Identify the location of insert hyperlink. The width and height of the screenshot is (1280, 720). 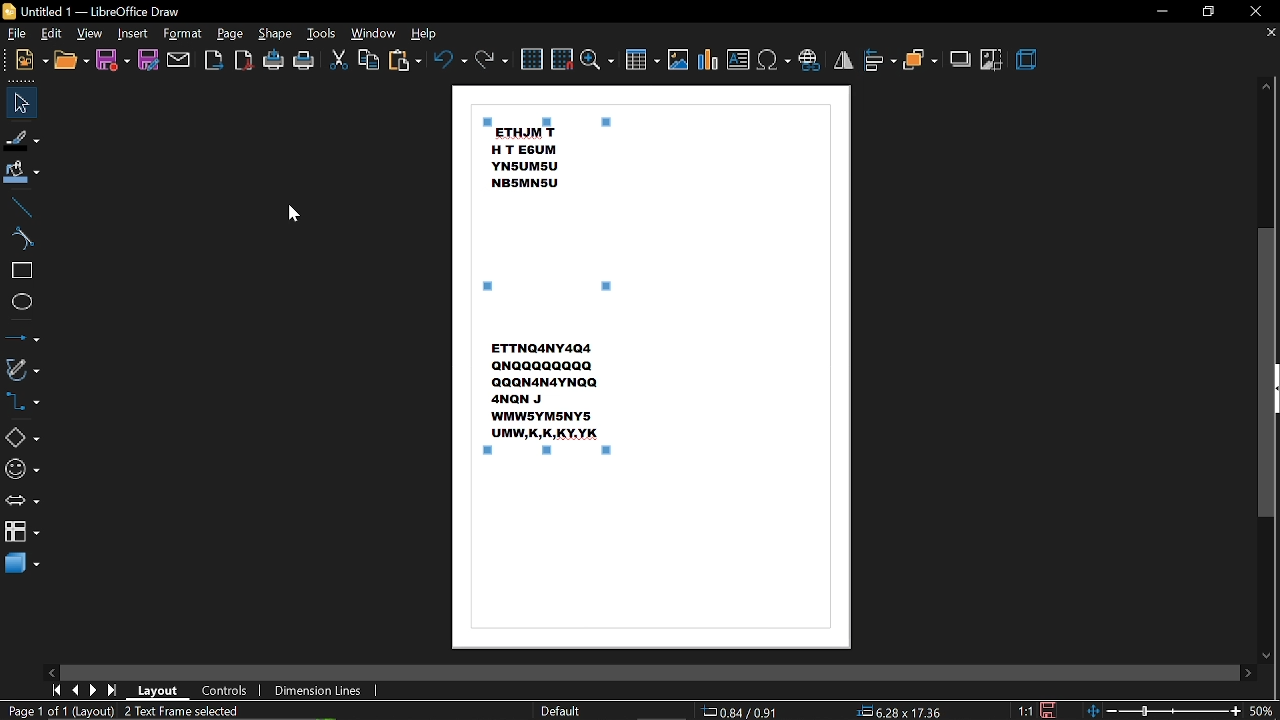
(810, 58).